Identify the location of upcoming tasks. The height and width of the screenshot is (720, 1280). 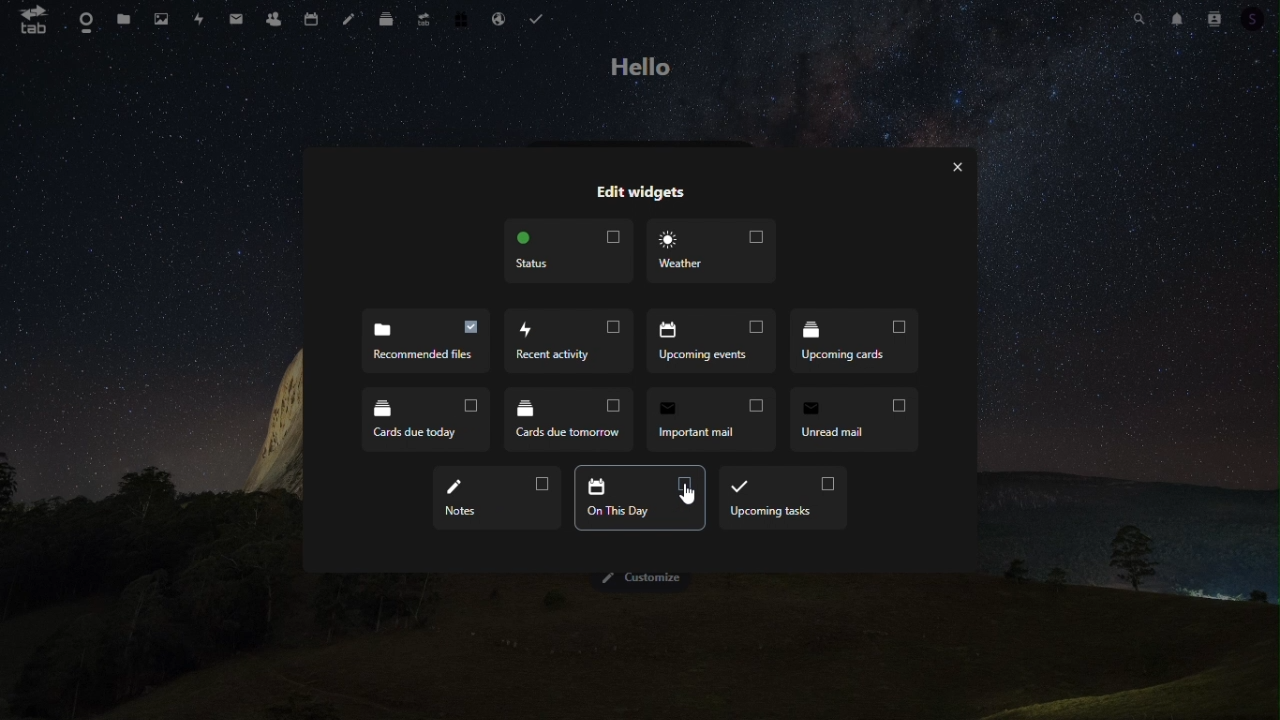
(783, 499).